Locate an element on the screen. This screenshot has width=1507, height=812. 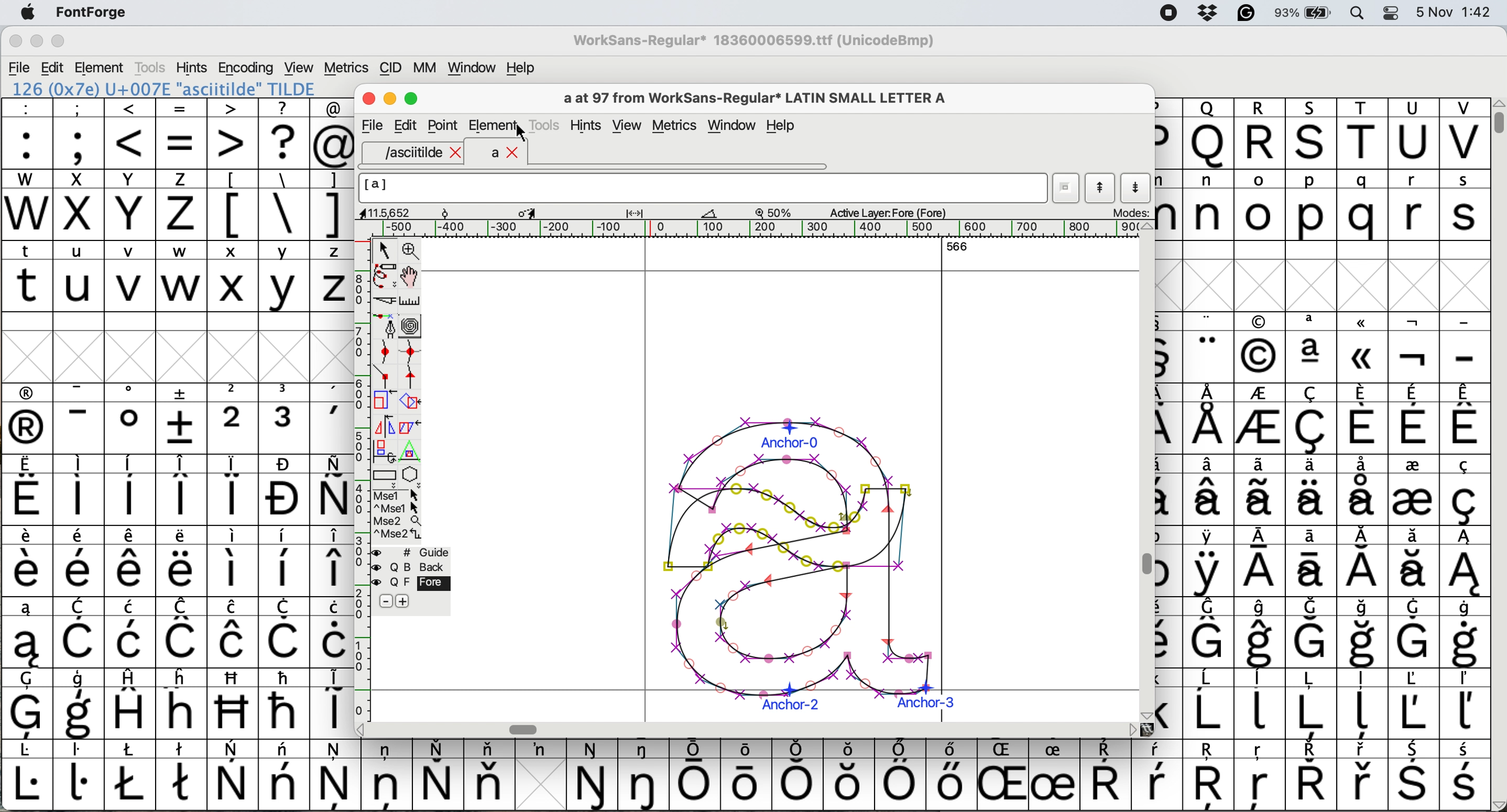
symbol is located at coordinates (133, 703).